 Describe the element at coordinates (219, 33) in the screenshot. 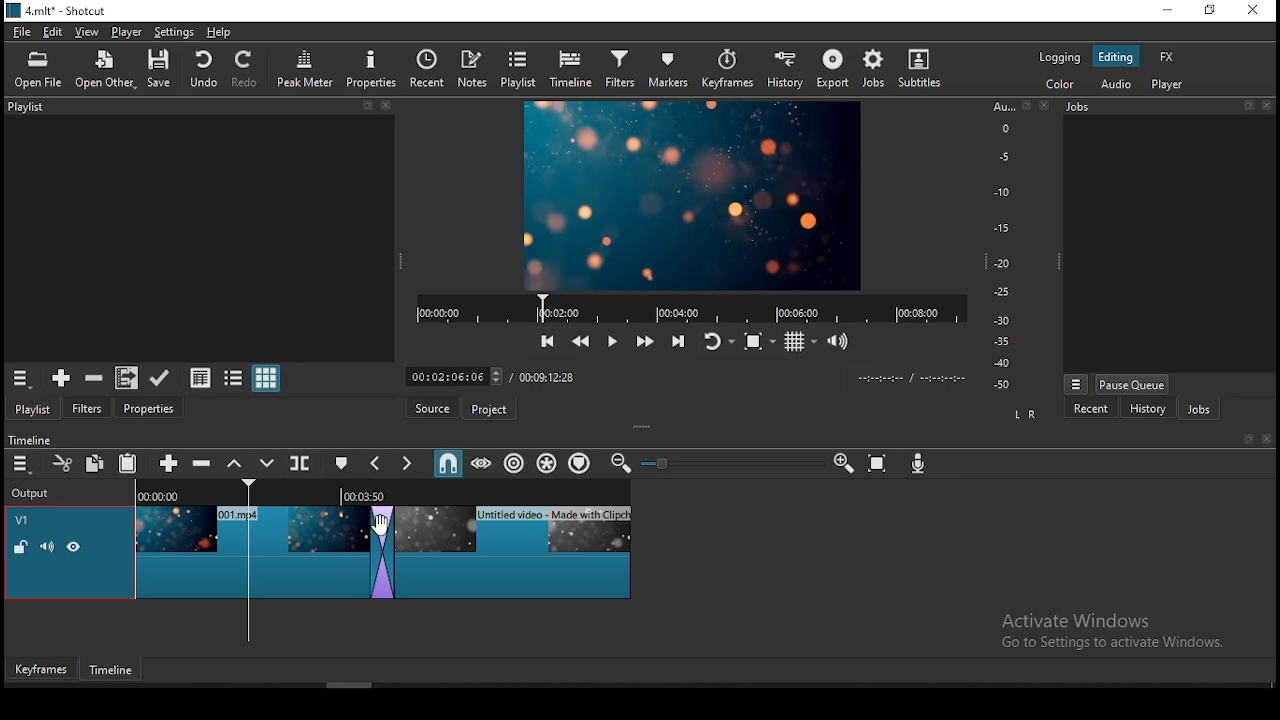

I see `help` at that location.